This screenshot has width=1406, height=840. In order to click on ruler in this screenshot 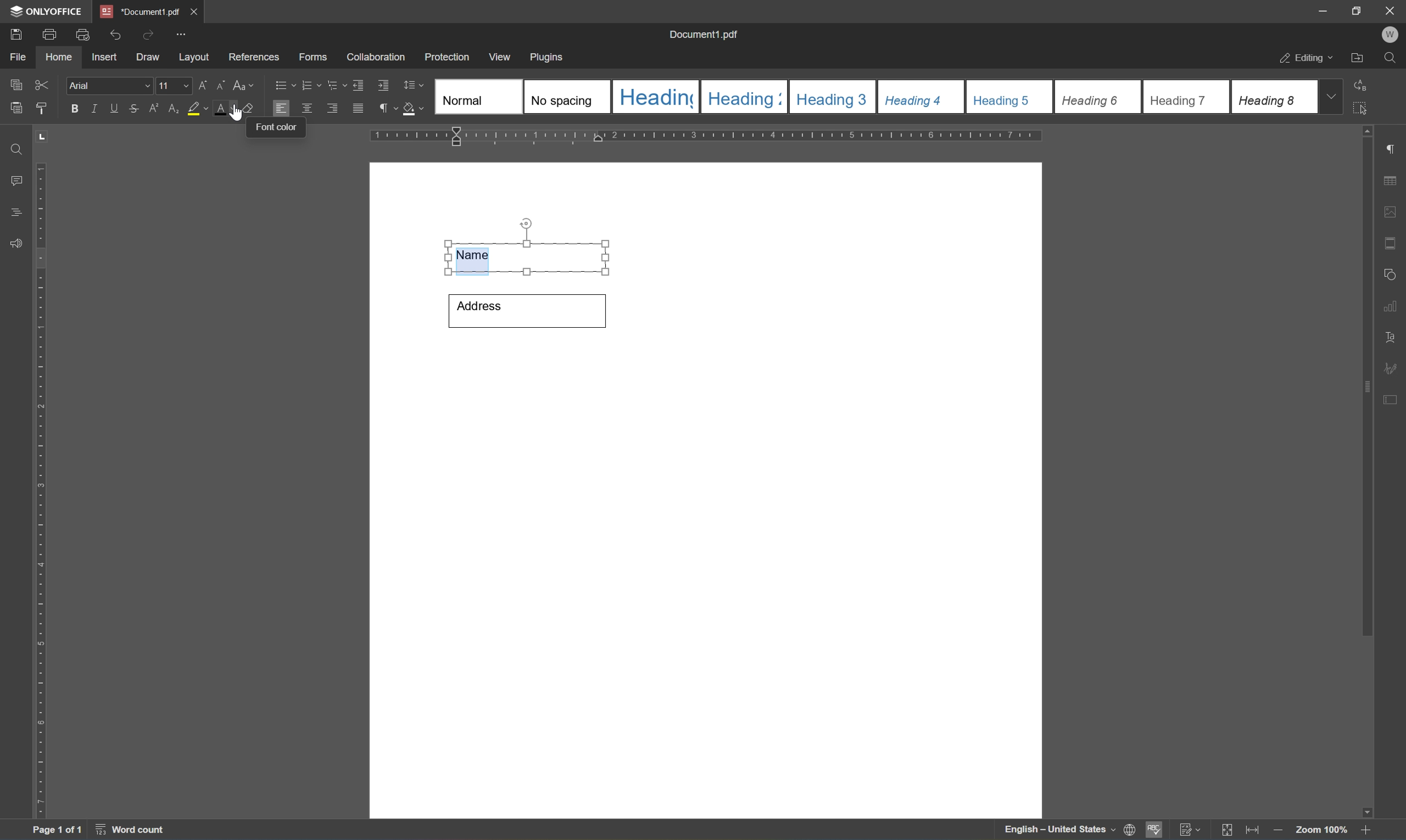, I will do `click(708, 136)`.